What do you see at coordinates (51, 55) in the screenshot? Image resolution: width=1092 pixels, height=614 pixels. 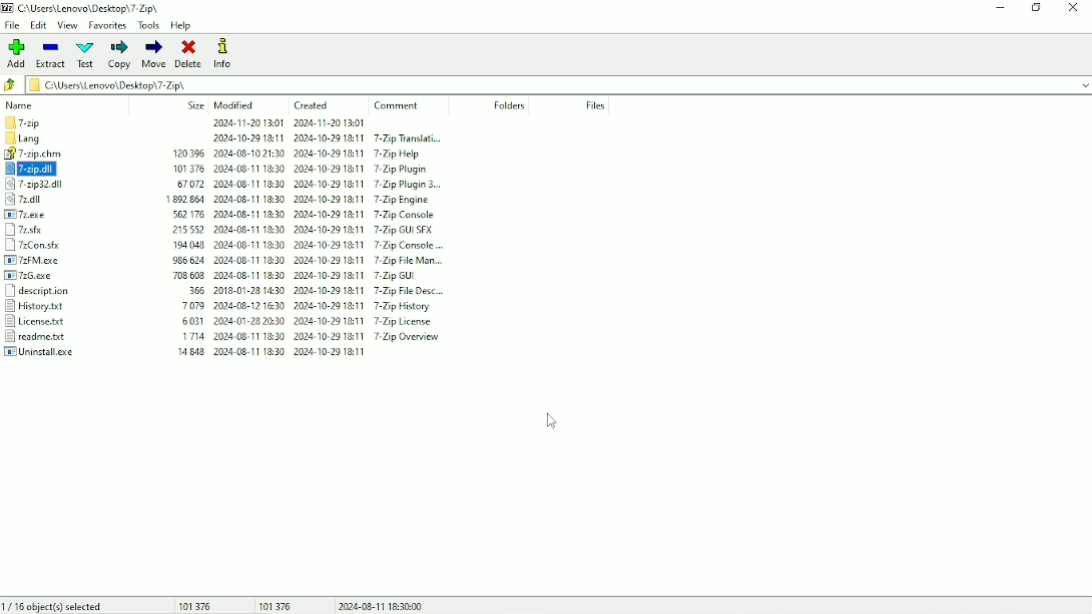 I see `Extract` at bounding box center [51, 55].